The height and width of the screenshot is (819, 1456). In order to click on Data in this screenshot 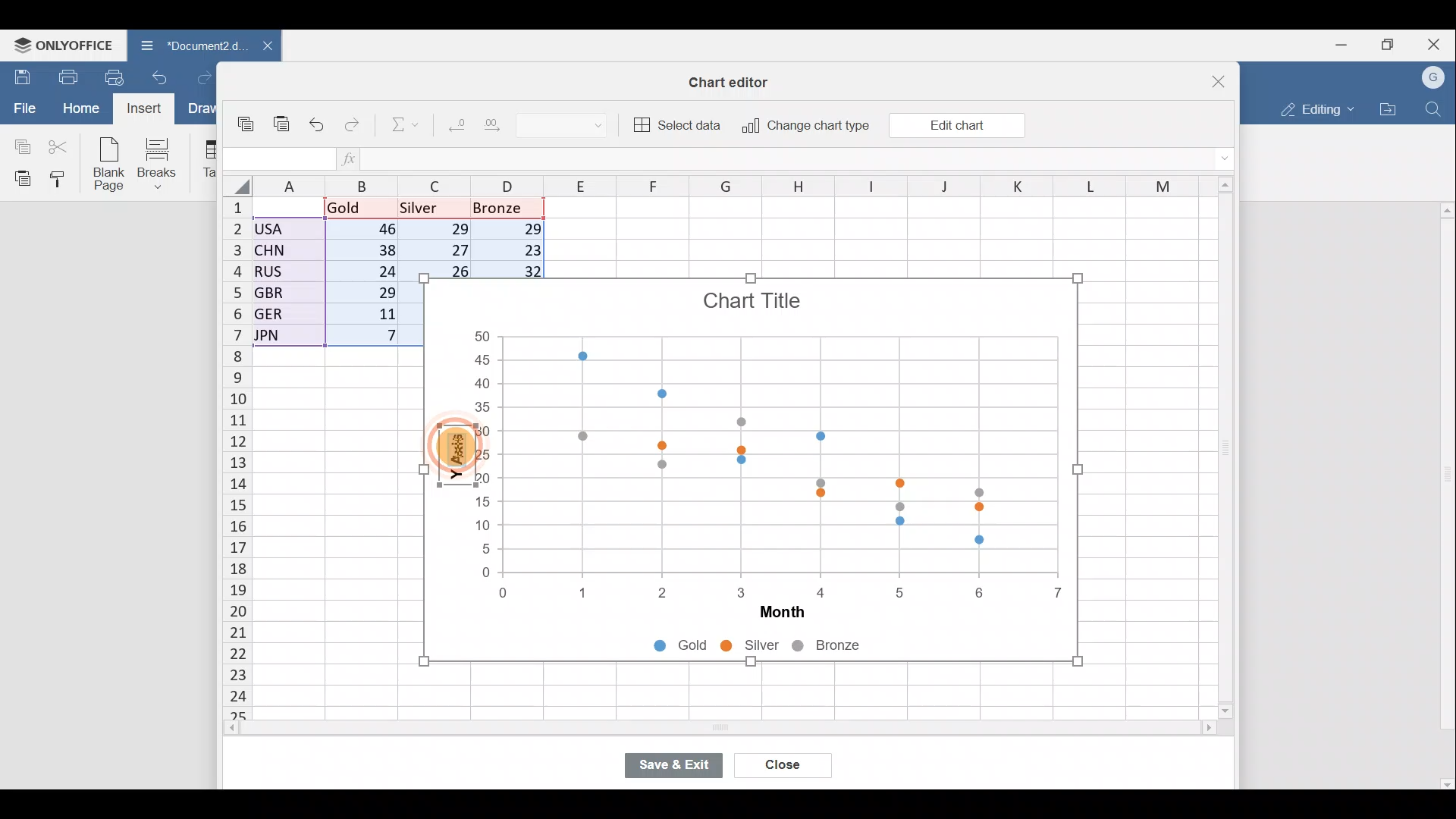, I will do `click(331, 277)`.